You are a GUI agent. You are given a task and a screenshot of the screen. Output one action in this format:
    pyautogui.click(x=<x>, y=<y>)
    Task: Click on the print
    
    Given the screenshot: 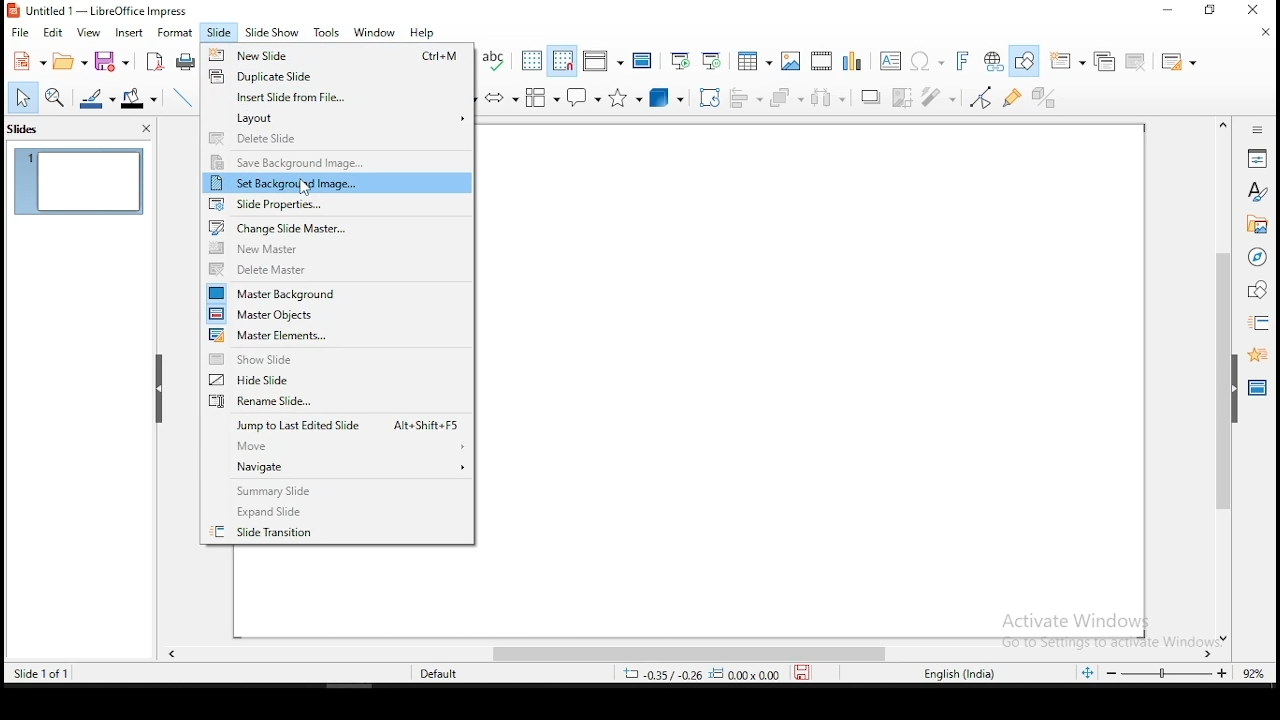 What is the action you would take?
    pyautogui.click(x=189, y=60)
    